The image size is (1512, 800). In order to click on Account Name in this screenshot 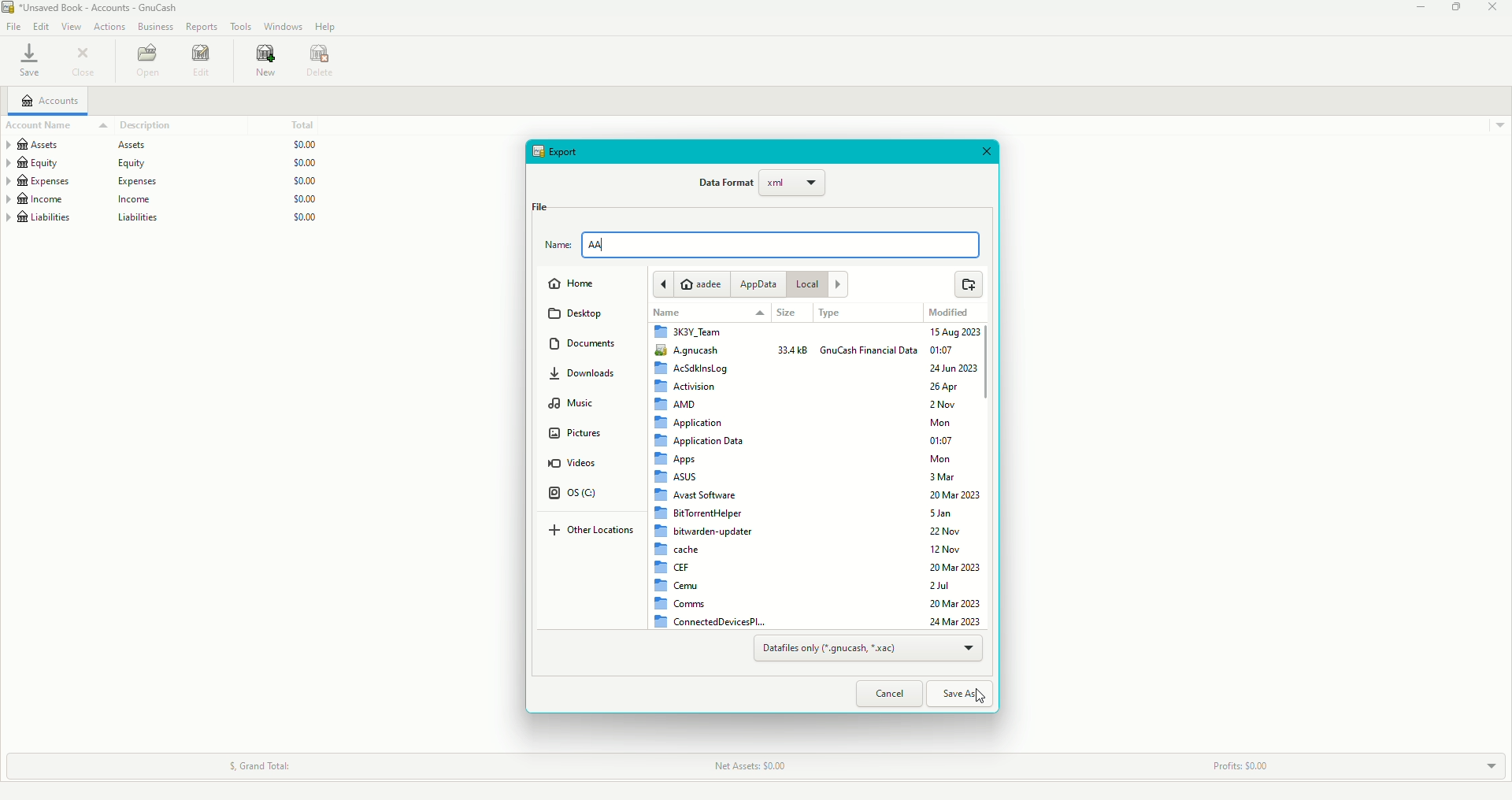, I will do `click(39, 126)`.